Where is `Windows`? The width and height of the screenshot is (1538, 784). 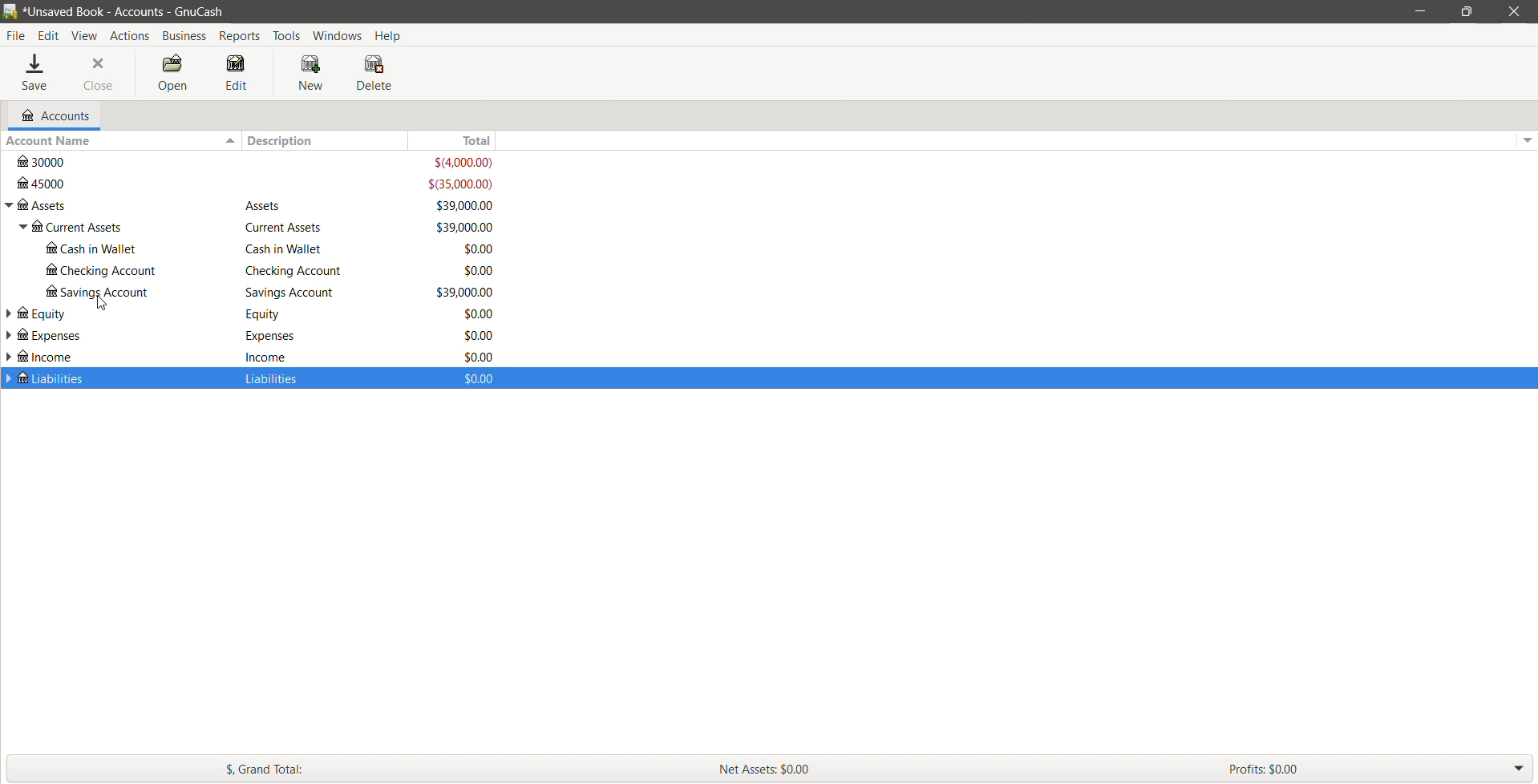
Windows is located at coordinates (339, 34).